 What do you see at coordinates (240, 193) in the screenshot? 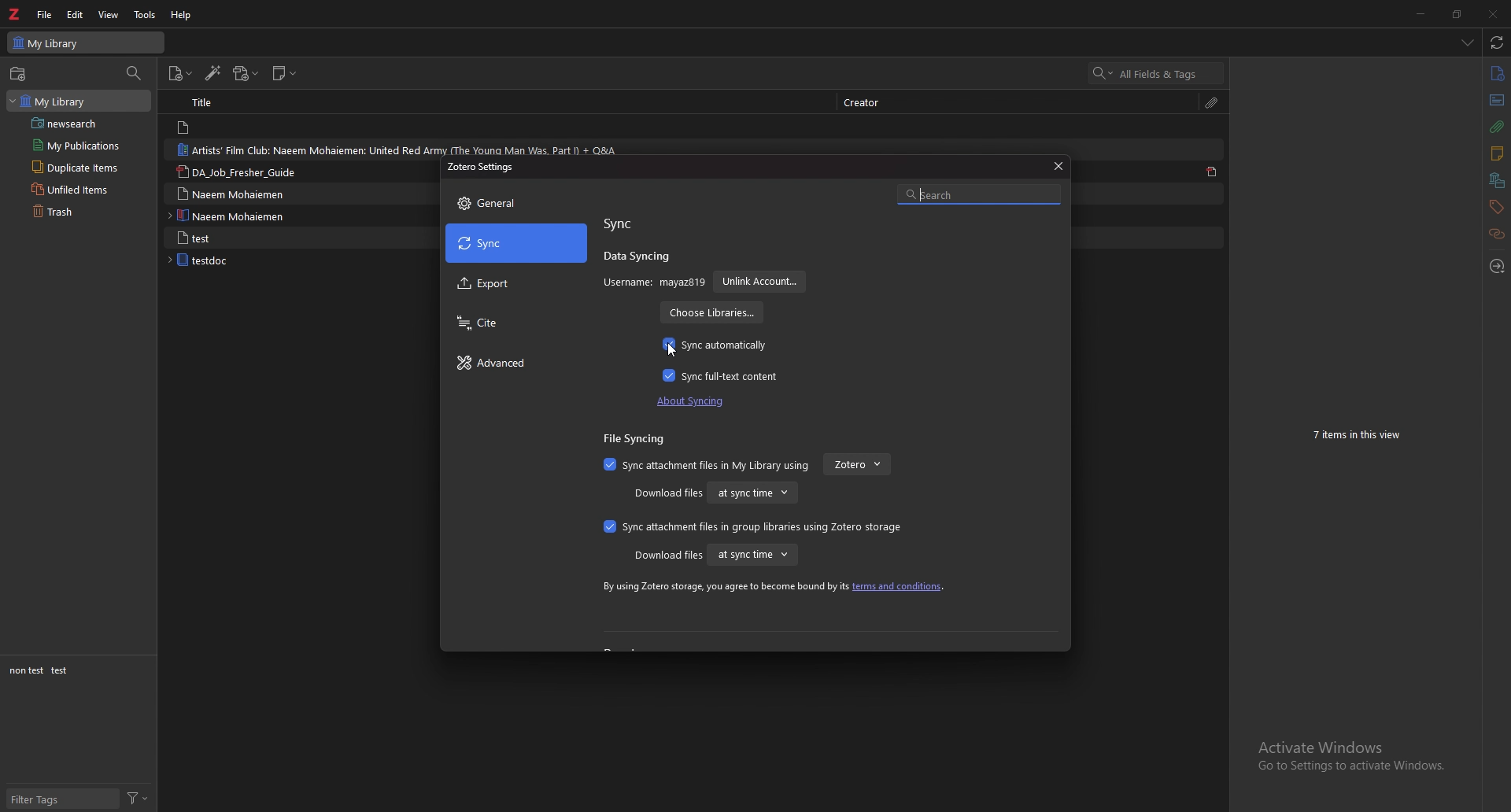
I see `Naeem Mohaiemen` at bounding box center [240, 193].